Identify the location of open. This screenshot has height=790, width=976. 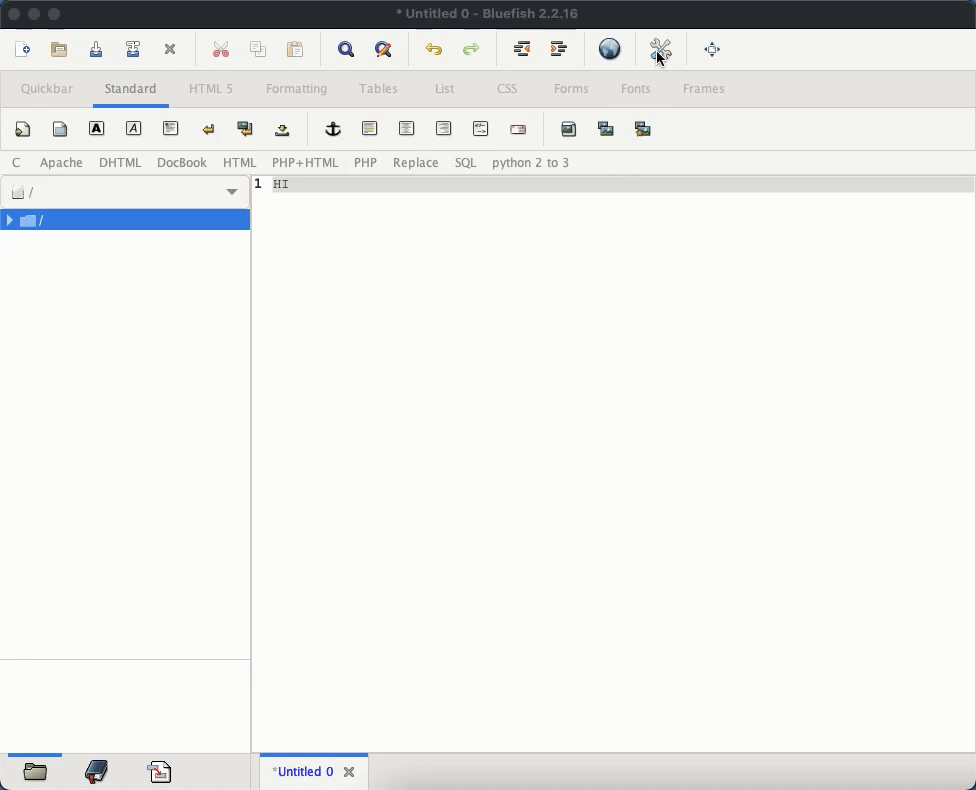
(37, 774).